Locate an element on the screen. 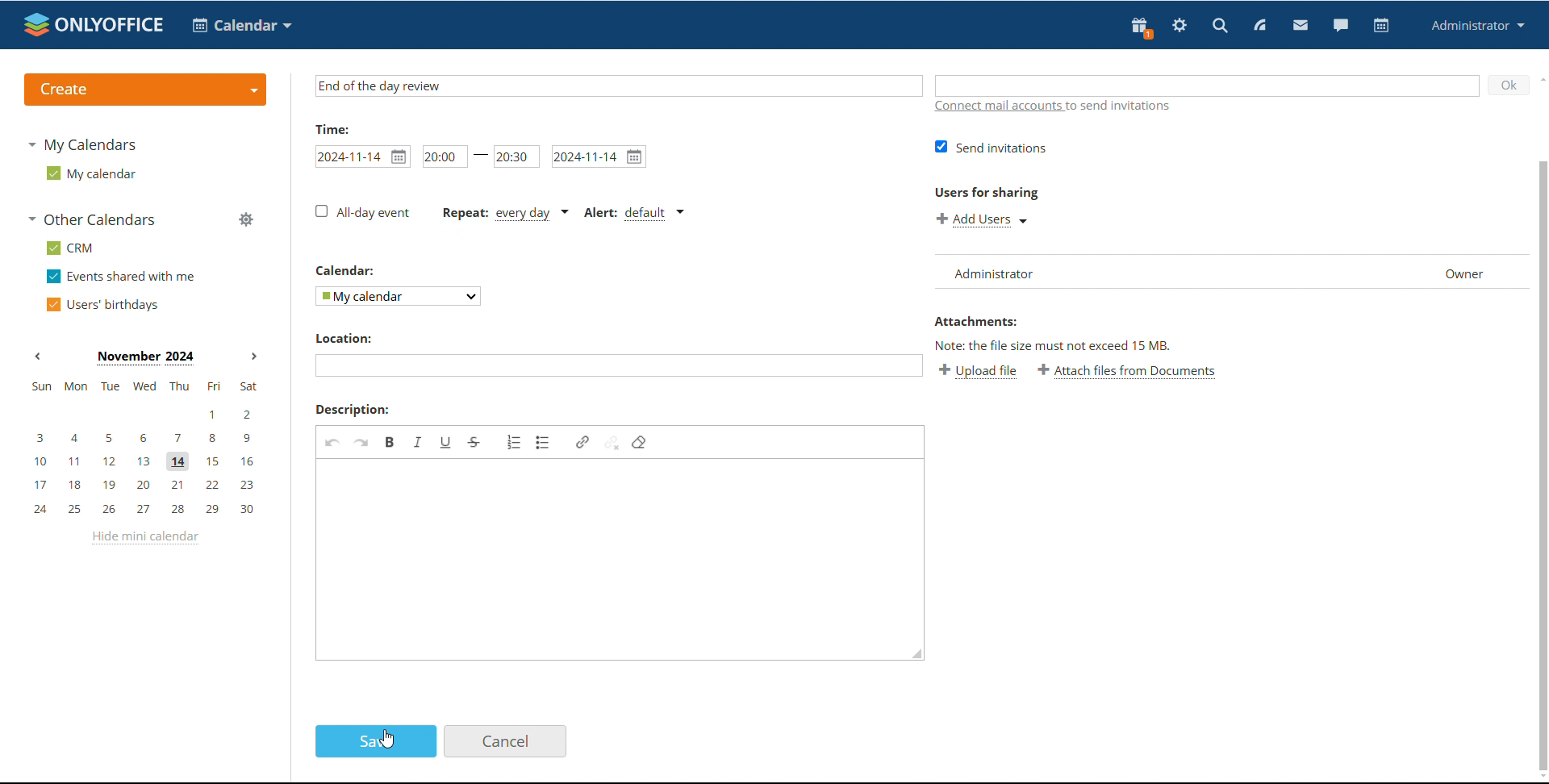 The image size is (1549, 784). Underline is located at coordinates (445, 442).